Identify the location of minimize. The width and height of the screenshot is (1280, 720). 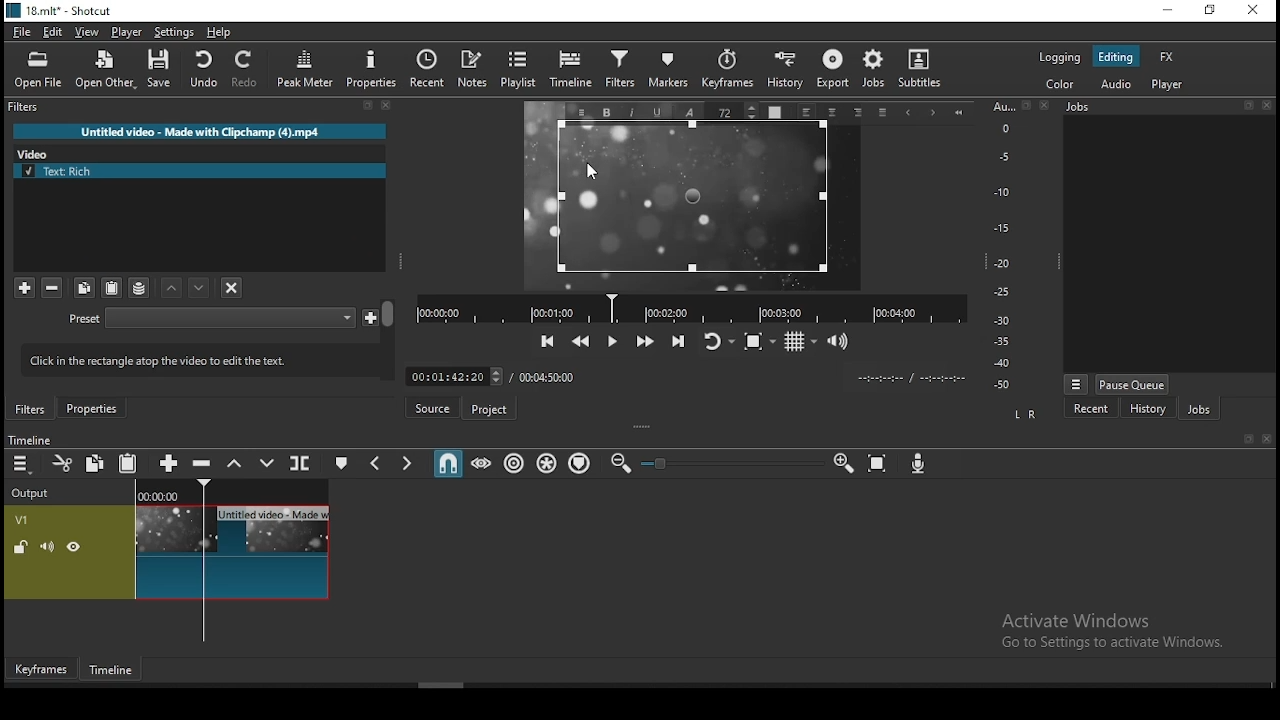
(1171, 9).